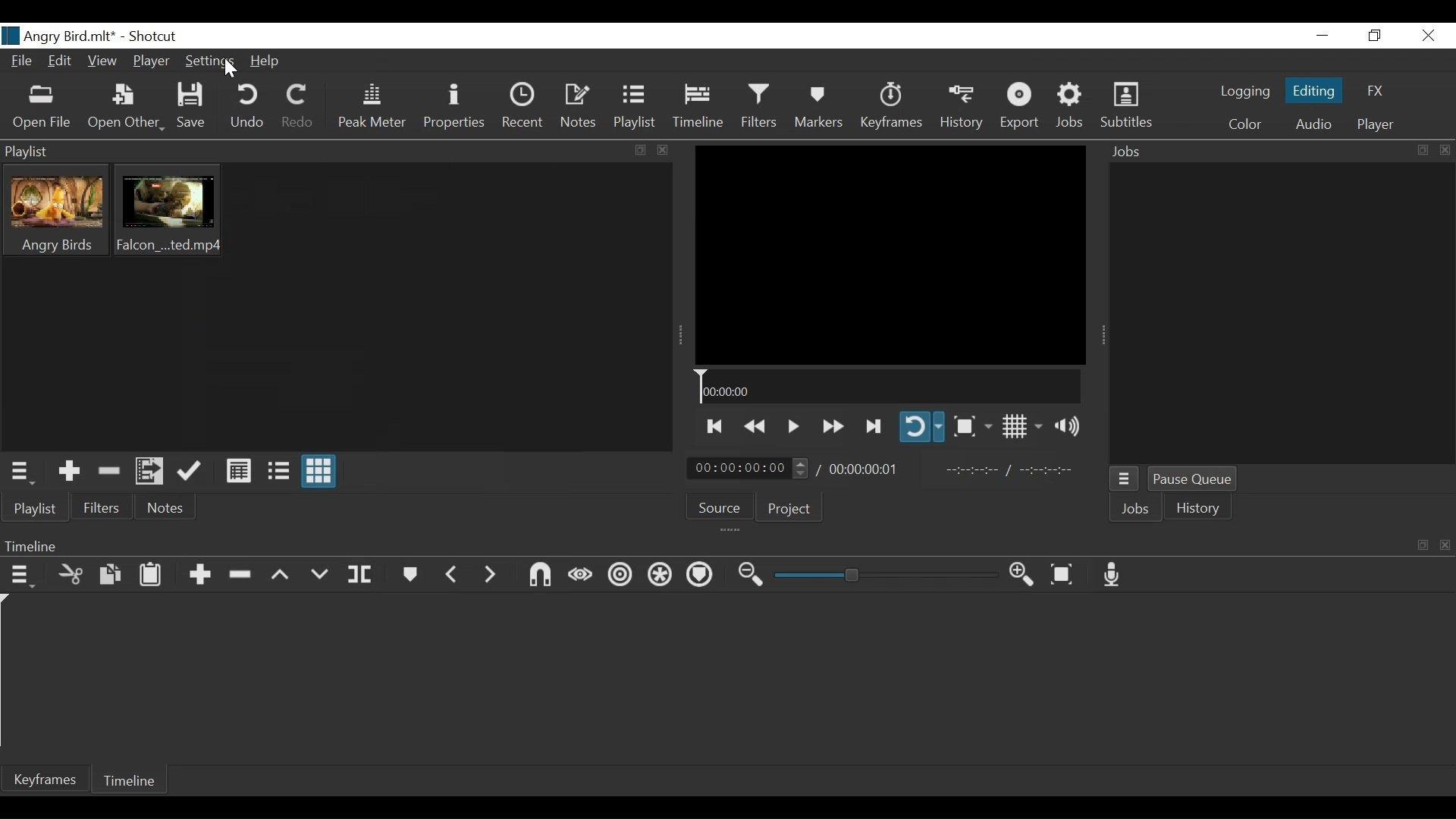 Image resolution: width=1456 pixels, height=819 pixels. Describe the element at coordinates (661, 575) in the screenshot. I see `Ripple all tracks` at that location.